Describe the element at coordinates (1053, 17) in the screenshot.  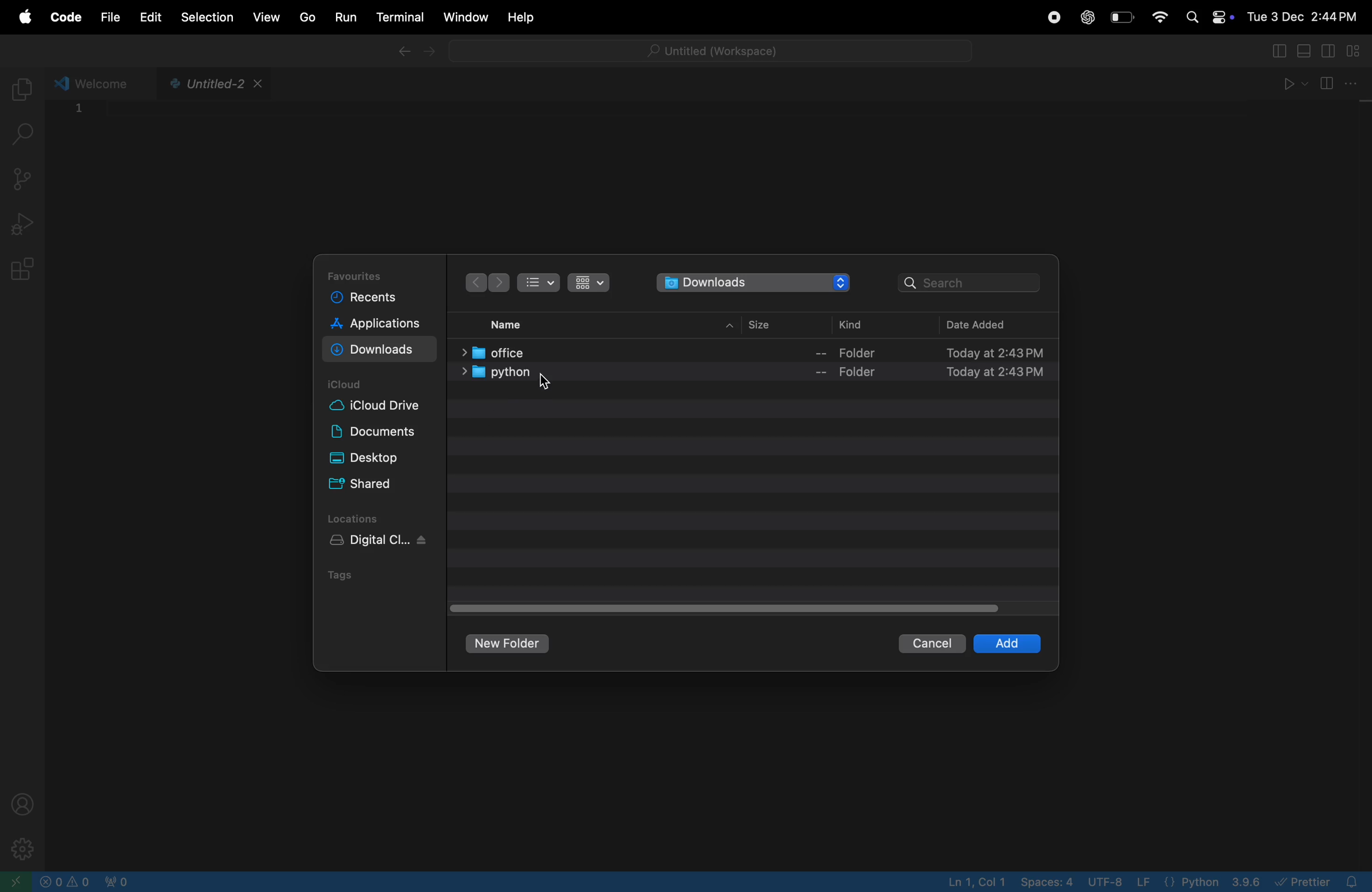
I see `record` at that location.